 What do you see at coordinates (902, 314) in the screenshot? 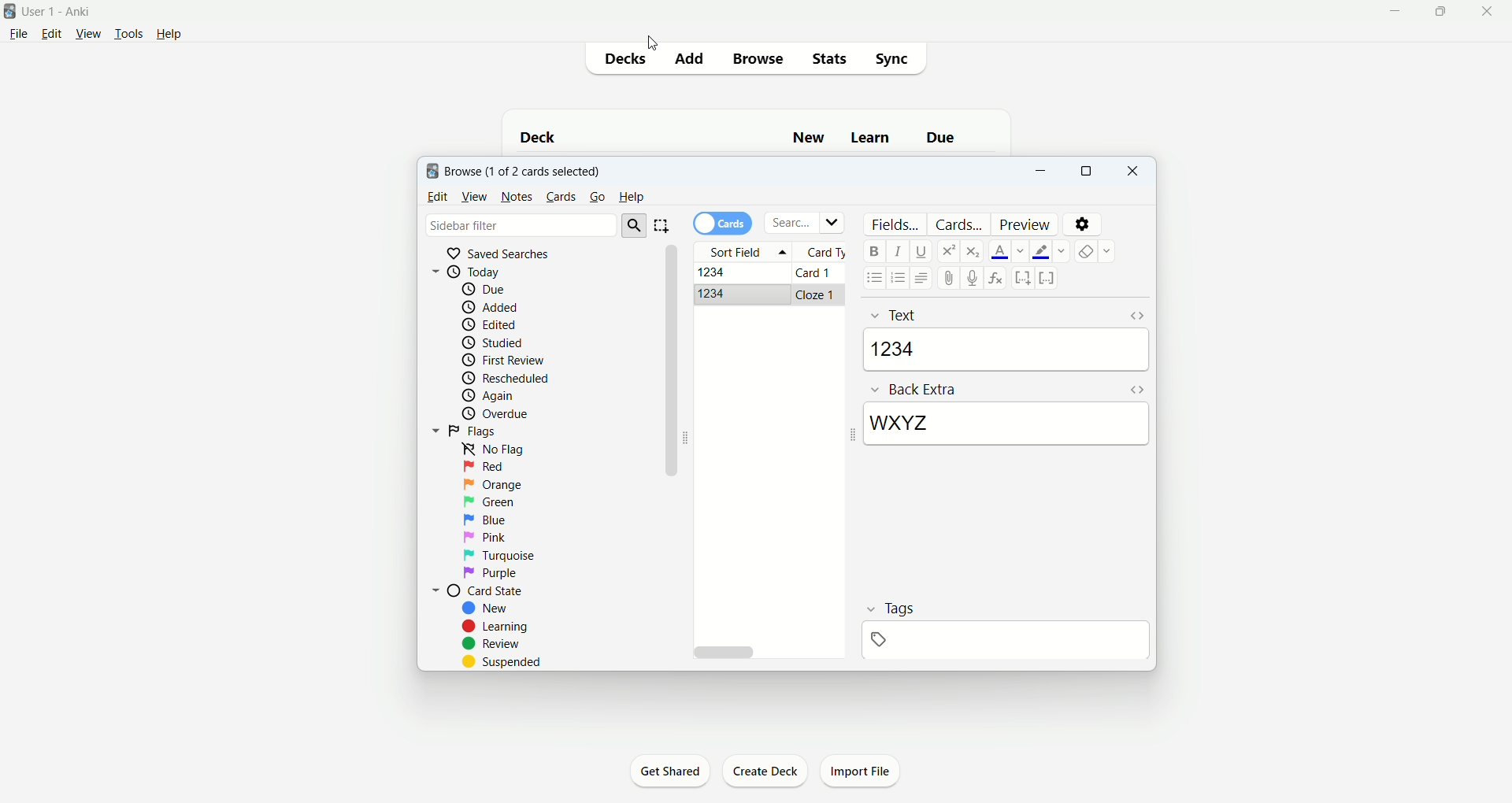
I see `Front` at bounding box center [902, 314].